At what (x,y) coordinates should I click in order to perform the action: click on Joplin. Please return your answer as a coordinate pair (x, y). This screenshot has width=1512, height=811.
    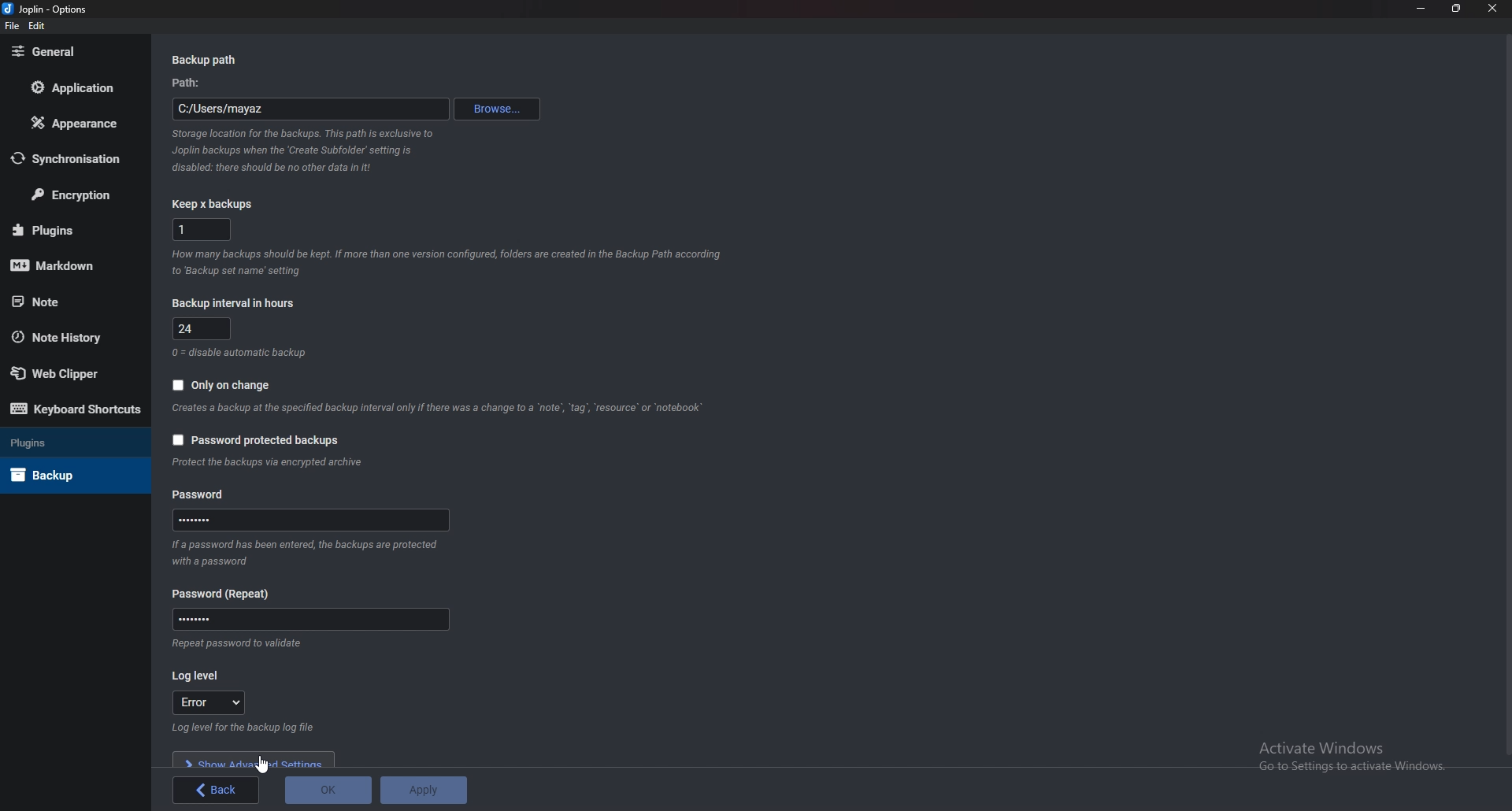
    Looking at the image, I should click on (46, 9).